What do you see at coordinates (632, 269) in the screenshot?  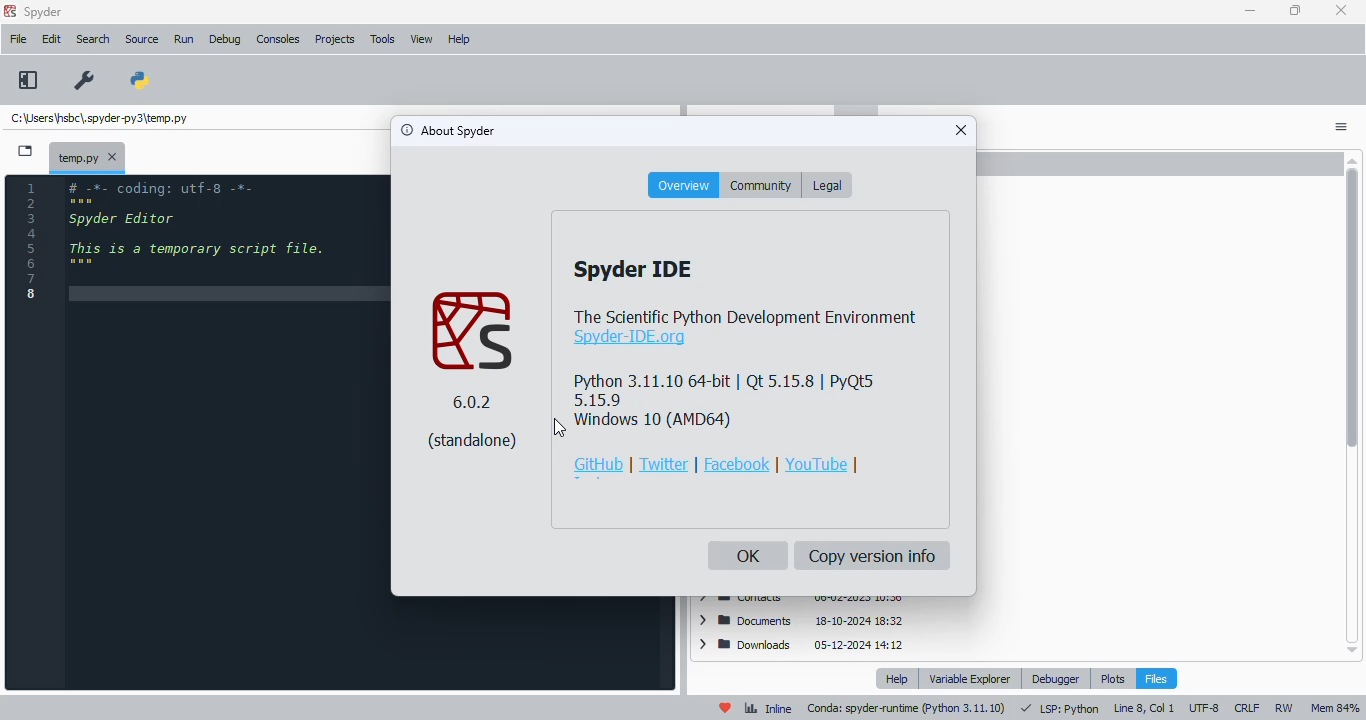 I see `spyder IDE` at bounding box center [632, 269].